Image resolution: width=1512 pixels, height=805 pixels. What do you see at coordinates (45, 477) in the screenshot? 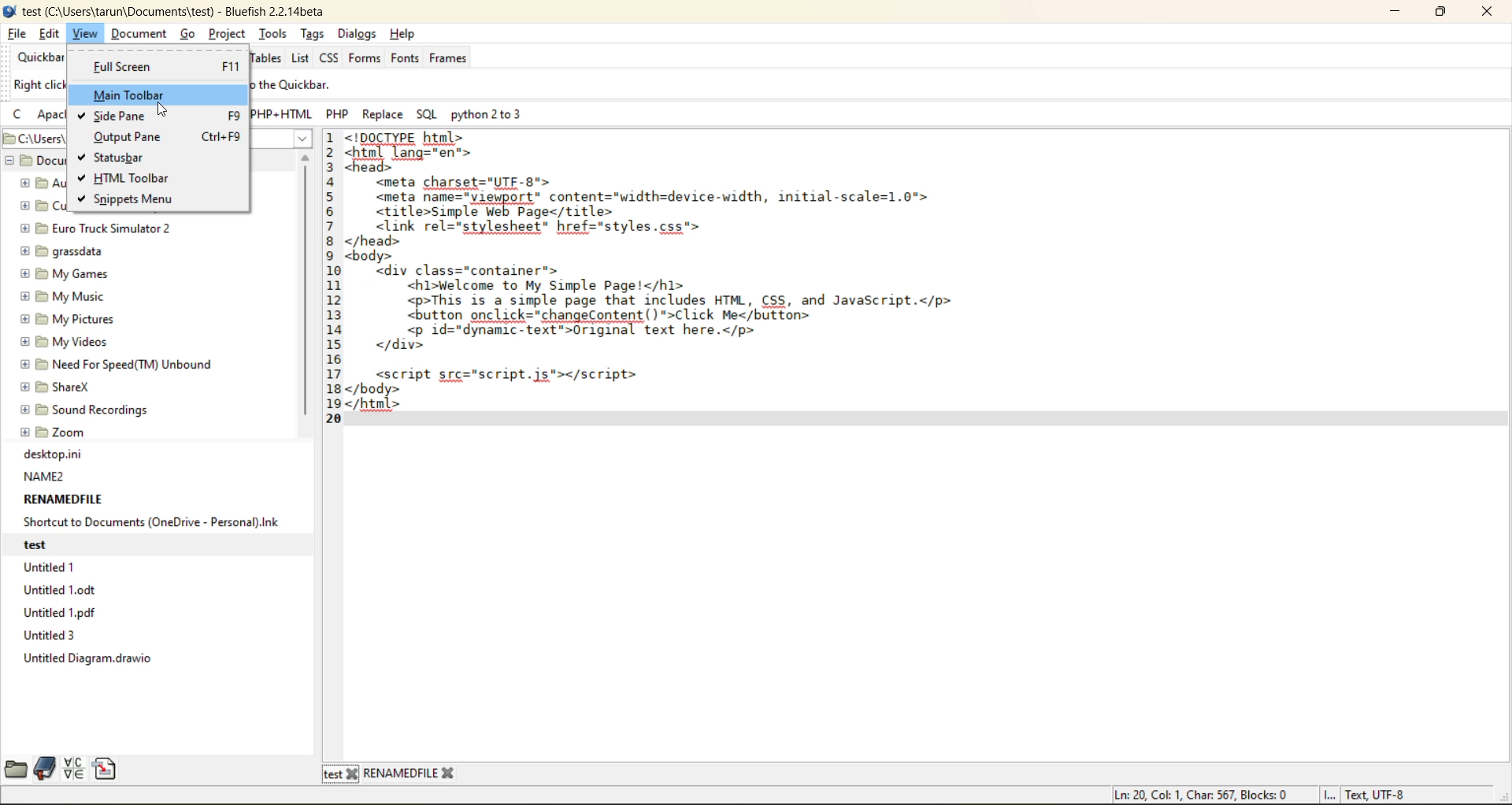
I see `NAME2` at bounding box center [45, 477].